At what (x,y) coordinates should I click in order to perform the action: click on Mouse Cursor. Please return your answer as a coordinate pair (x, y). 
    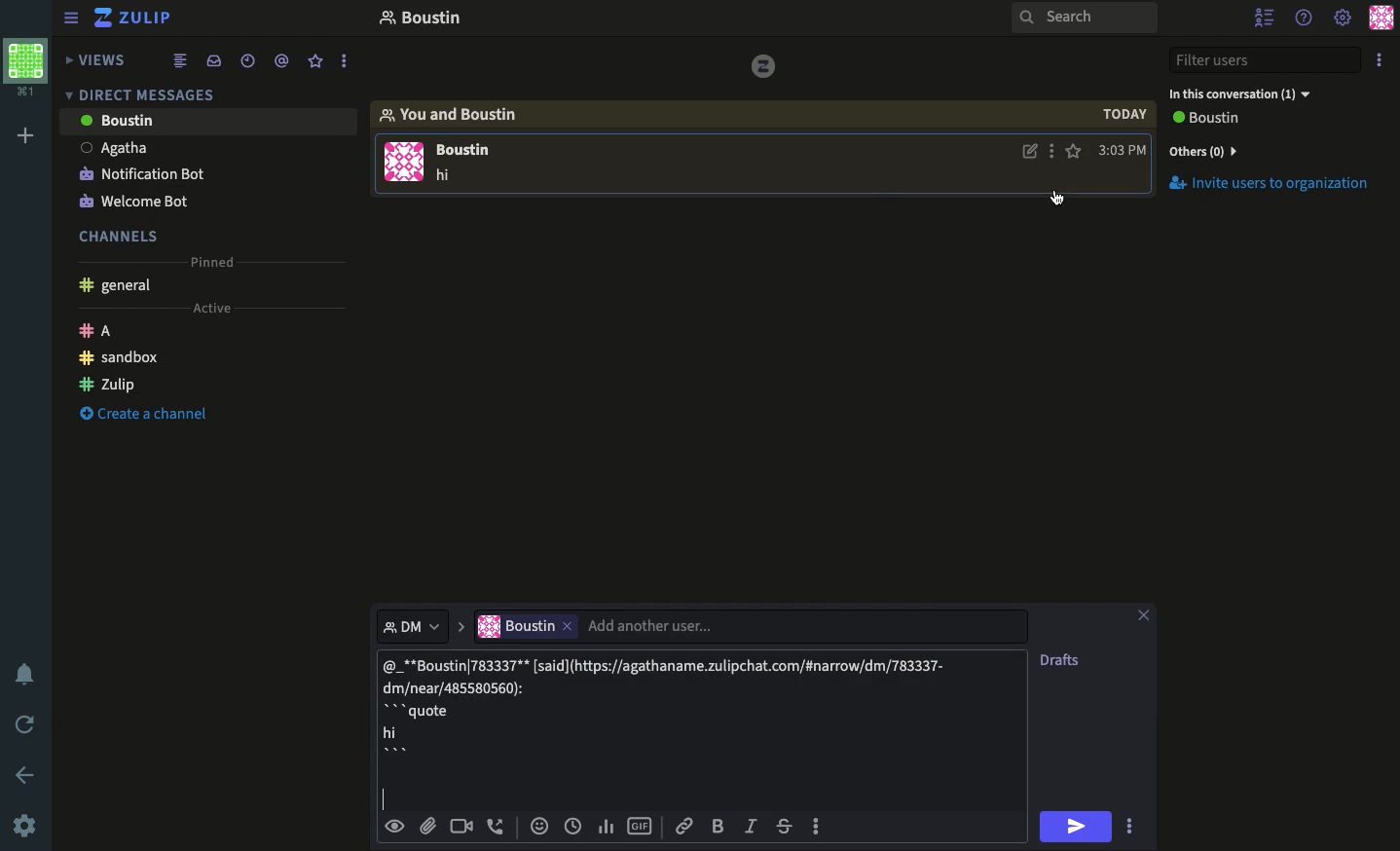
    Looking at the image, I should click on (1059, 202).